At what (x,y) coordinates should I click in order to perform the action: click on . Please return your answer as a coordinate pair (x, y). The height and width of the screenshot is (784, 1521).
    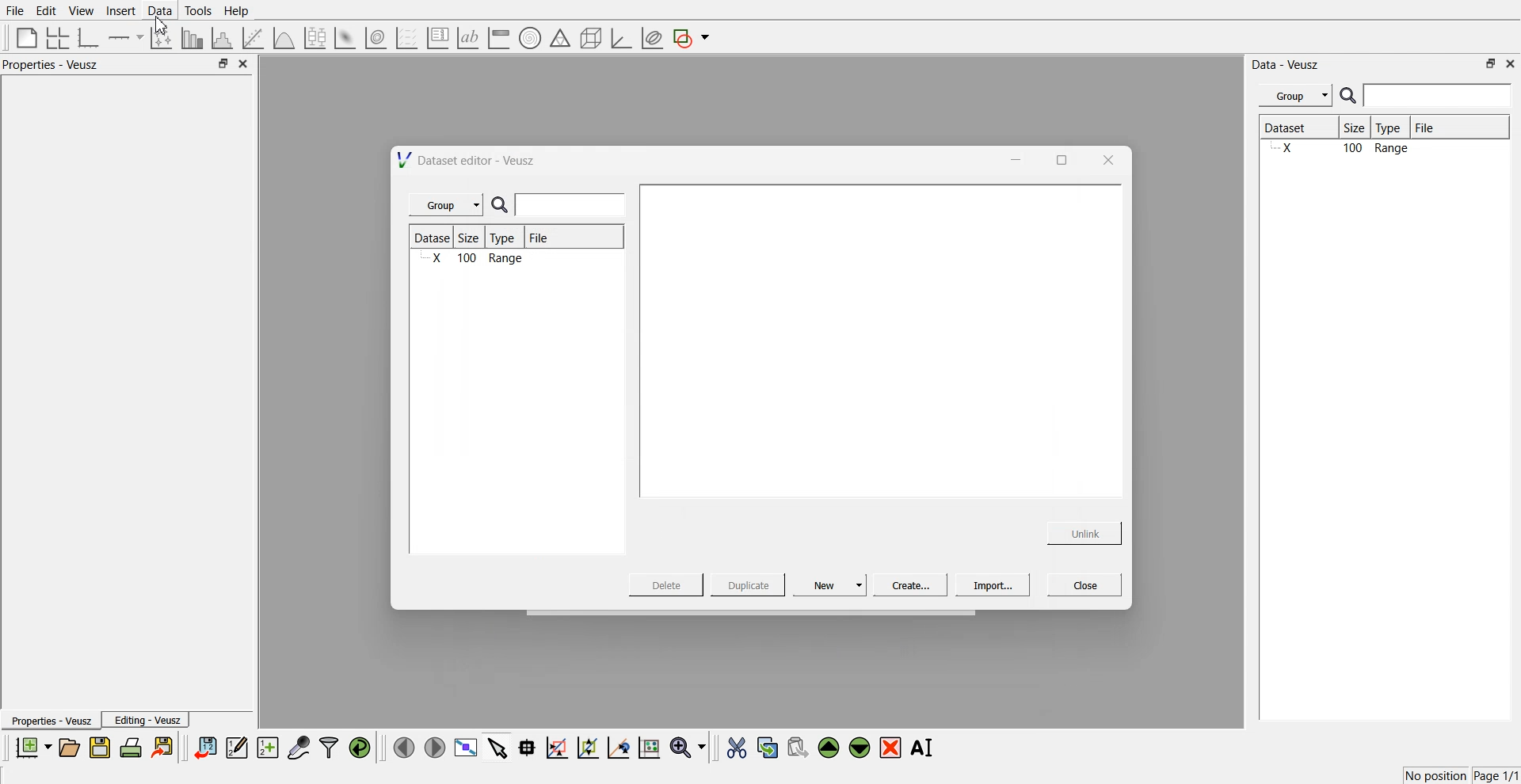
    Looking at the image, I should click on (1295, 96).